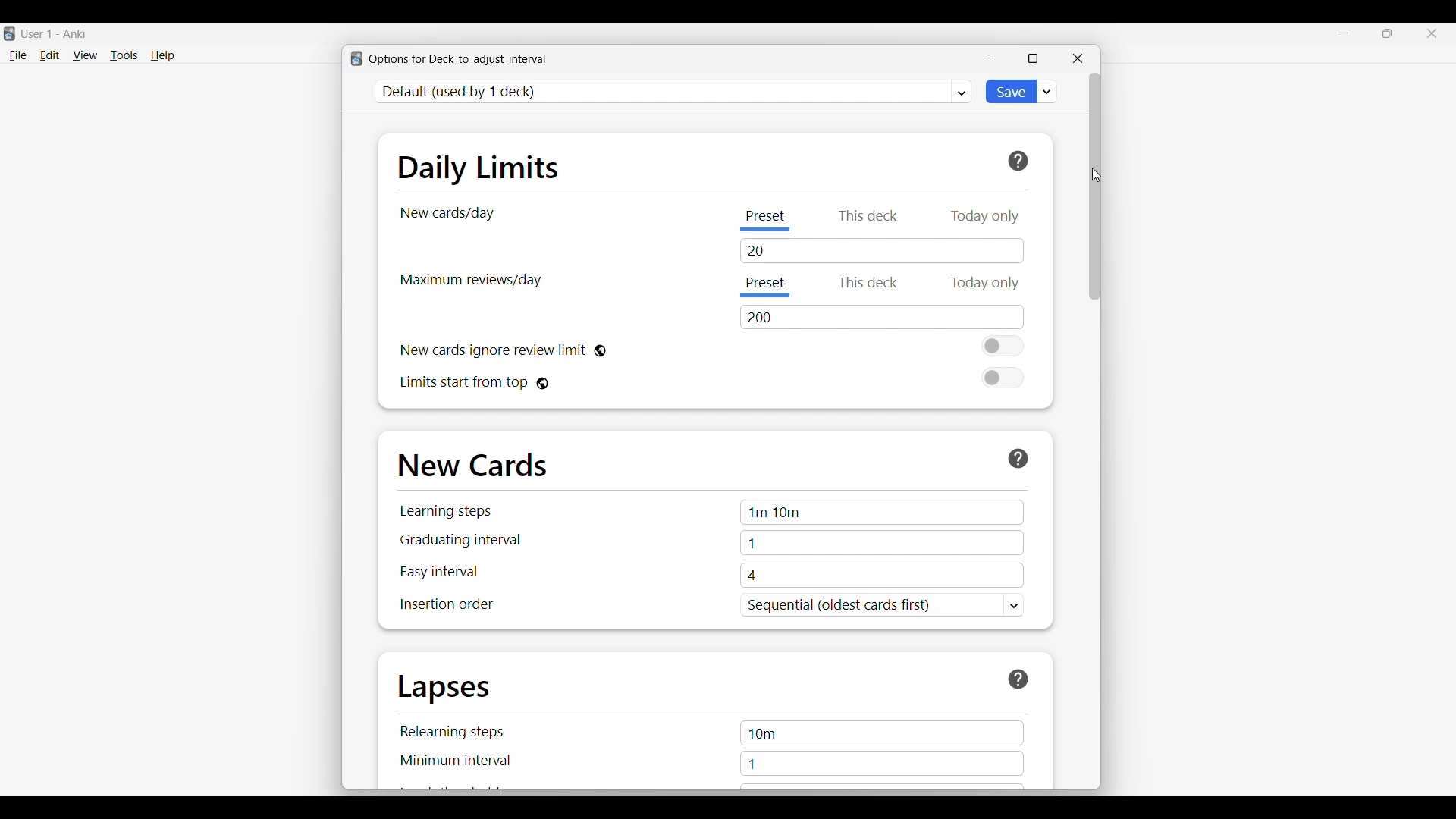  What do you see at coordinates (1011, 91) in the screenshot?
I see `Click to save` at bounding box center [1011, 91].